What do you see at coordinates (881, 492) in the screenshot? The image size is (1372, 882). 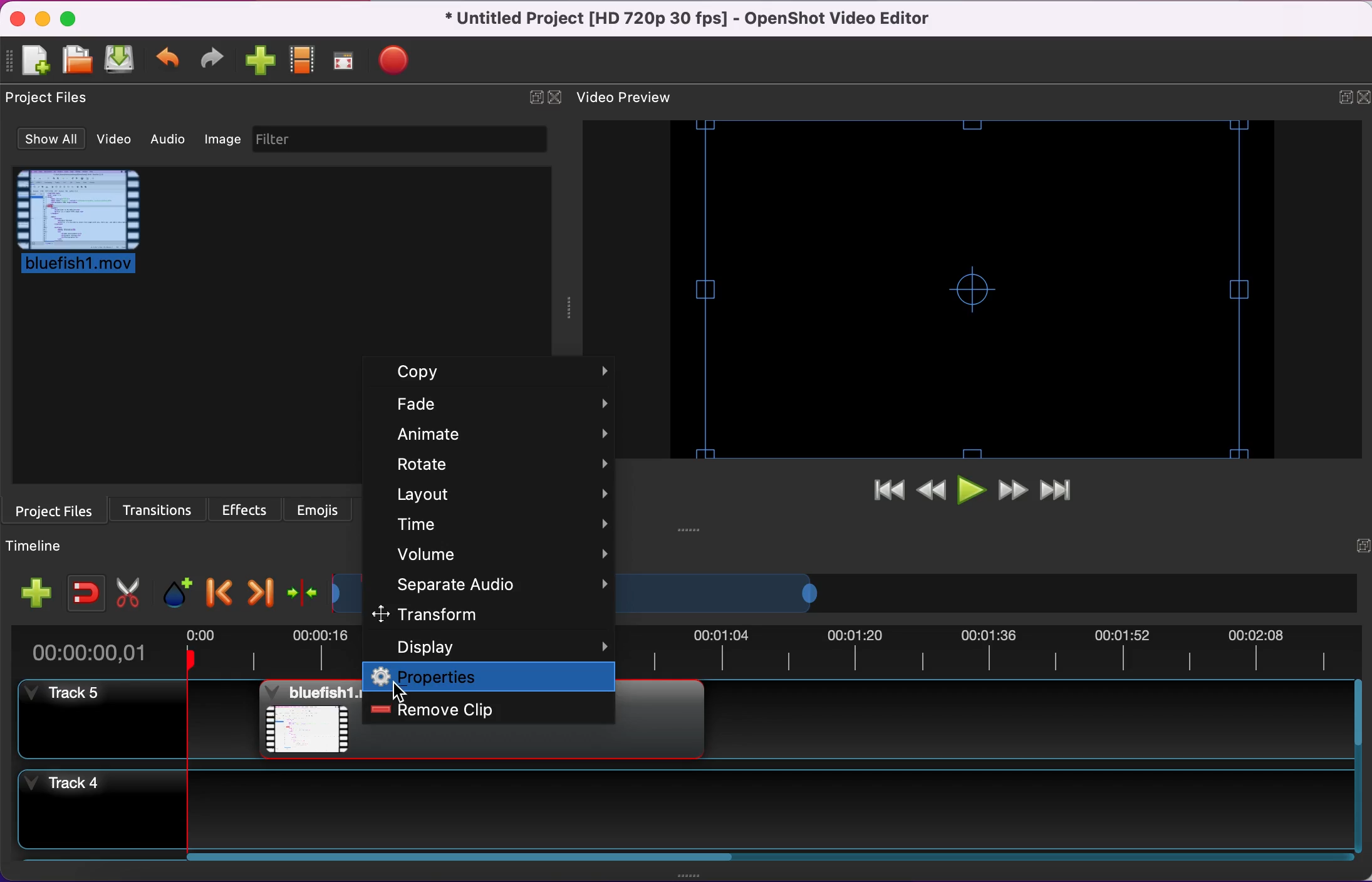 I see `jump to start` at bounding box center [881, 492].